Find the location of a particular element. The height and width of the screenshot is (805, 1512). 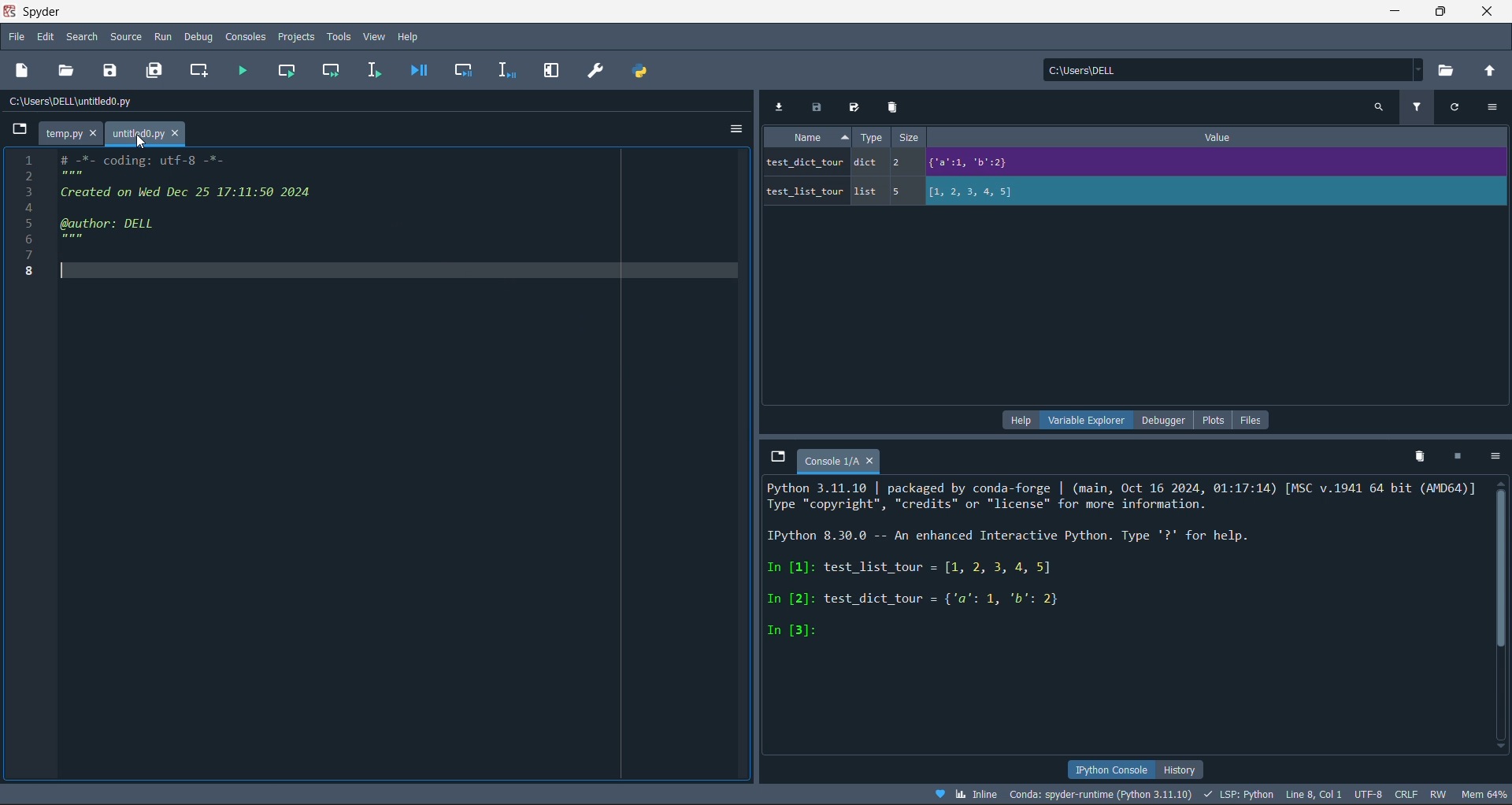

 Size is located at coordinates (909, 139).